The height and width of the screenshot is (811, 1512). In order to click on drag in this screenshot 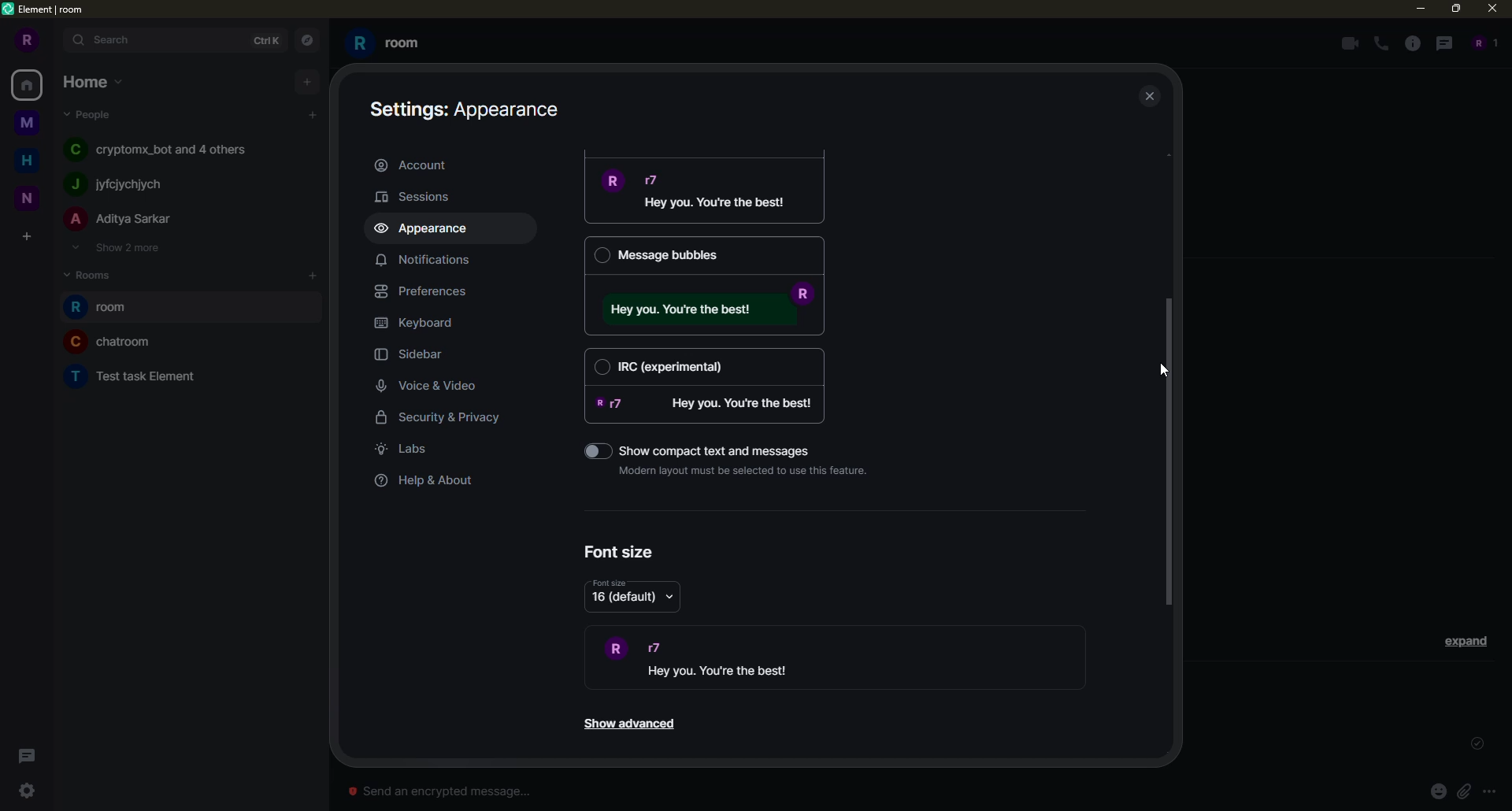, I will do `click(1169, 450)`.